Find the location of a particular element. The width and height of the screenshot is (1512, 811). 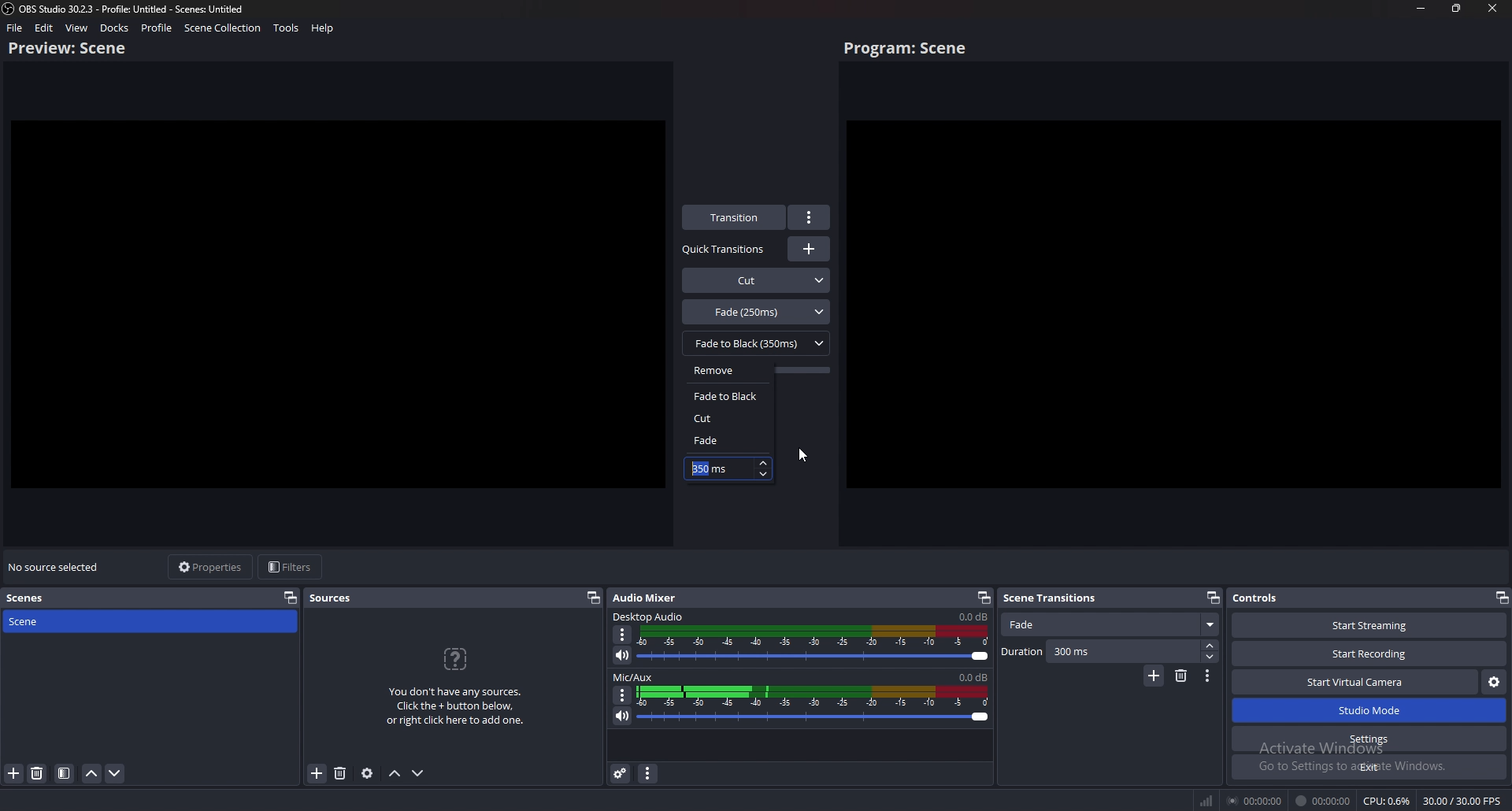

Cut is located at coordinates (757, 279).